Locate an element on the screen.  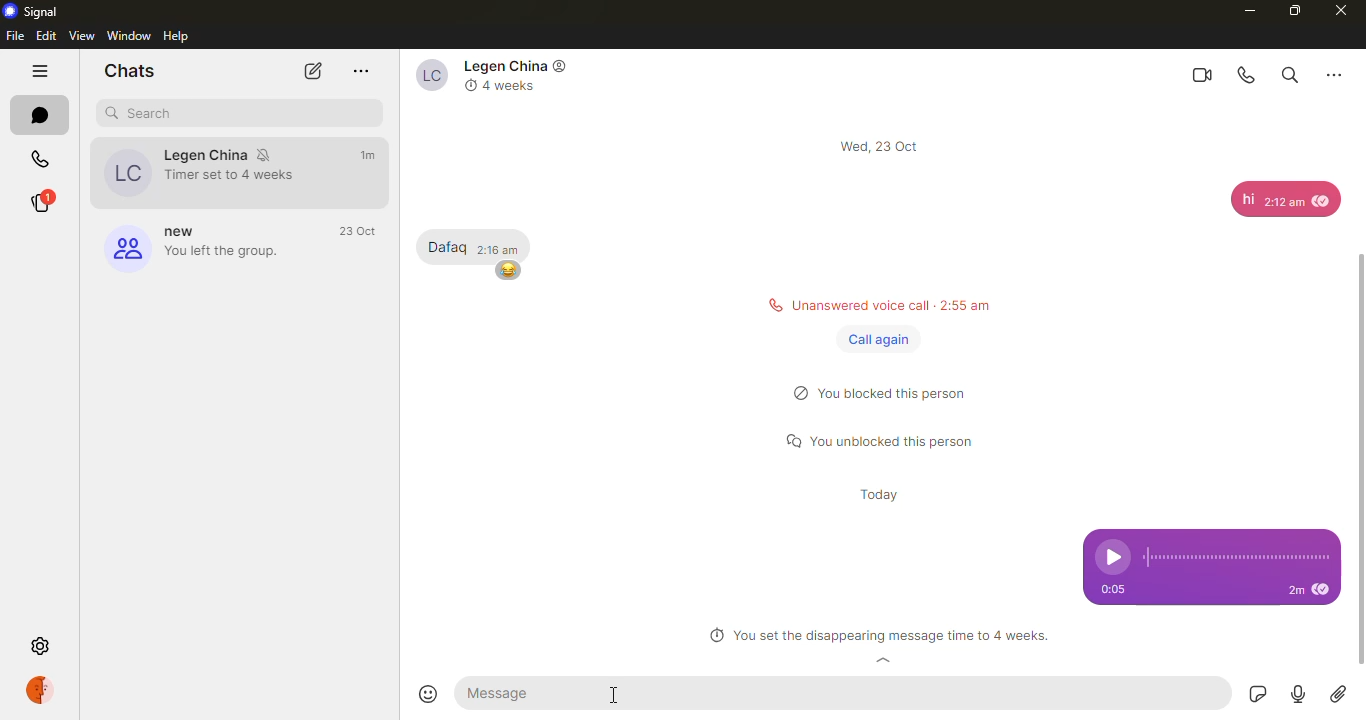
Legen China LC  Timer set to 4 weeks is located at coordinates (194, 172).